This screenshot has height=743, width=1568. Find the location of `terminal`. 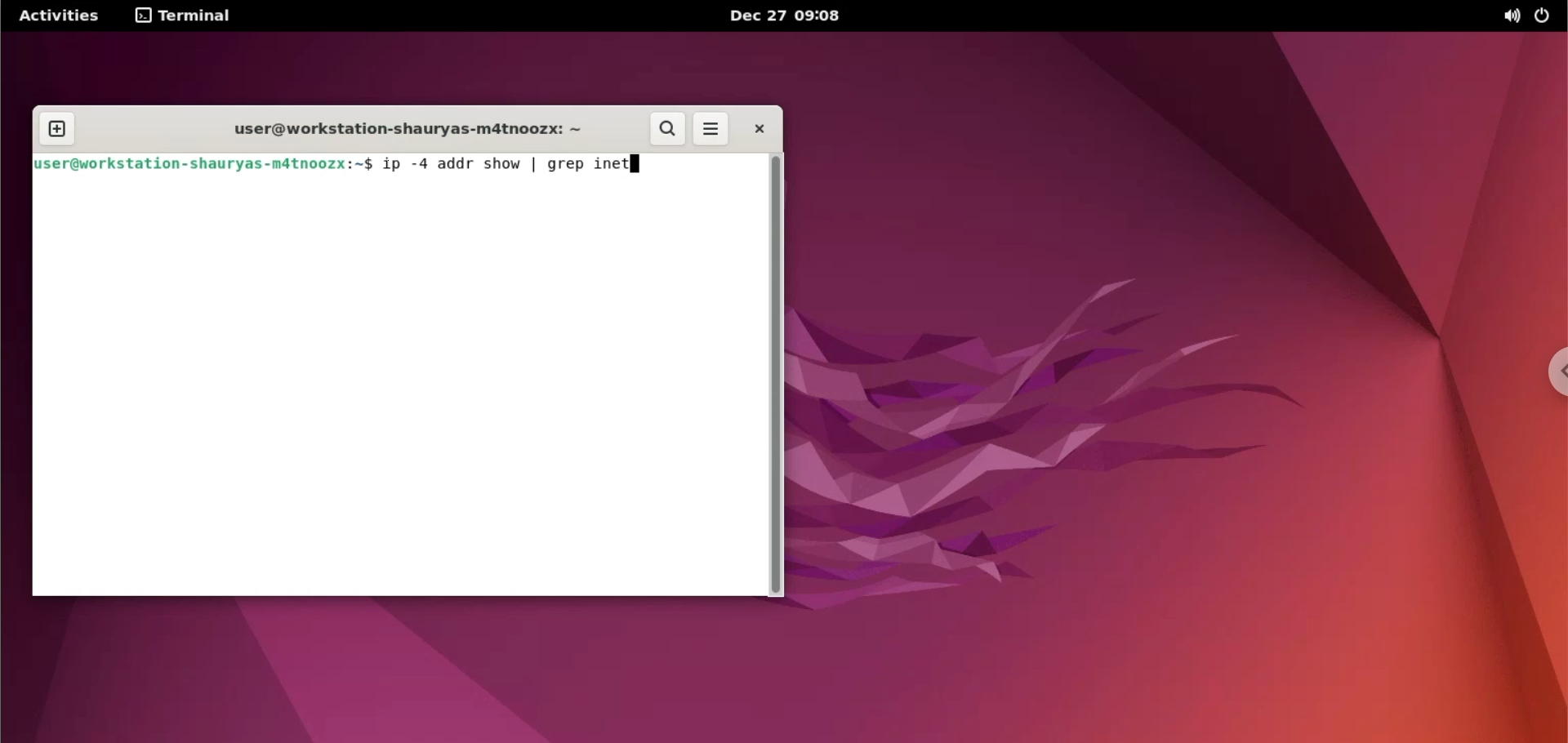

terminal is located at coordinates (184, 15).